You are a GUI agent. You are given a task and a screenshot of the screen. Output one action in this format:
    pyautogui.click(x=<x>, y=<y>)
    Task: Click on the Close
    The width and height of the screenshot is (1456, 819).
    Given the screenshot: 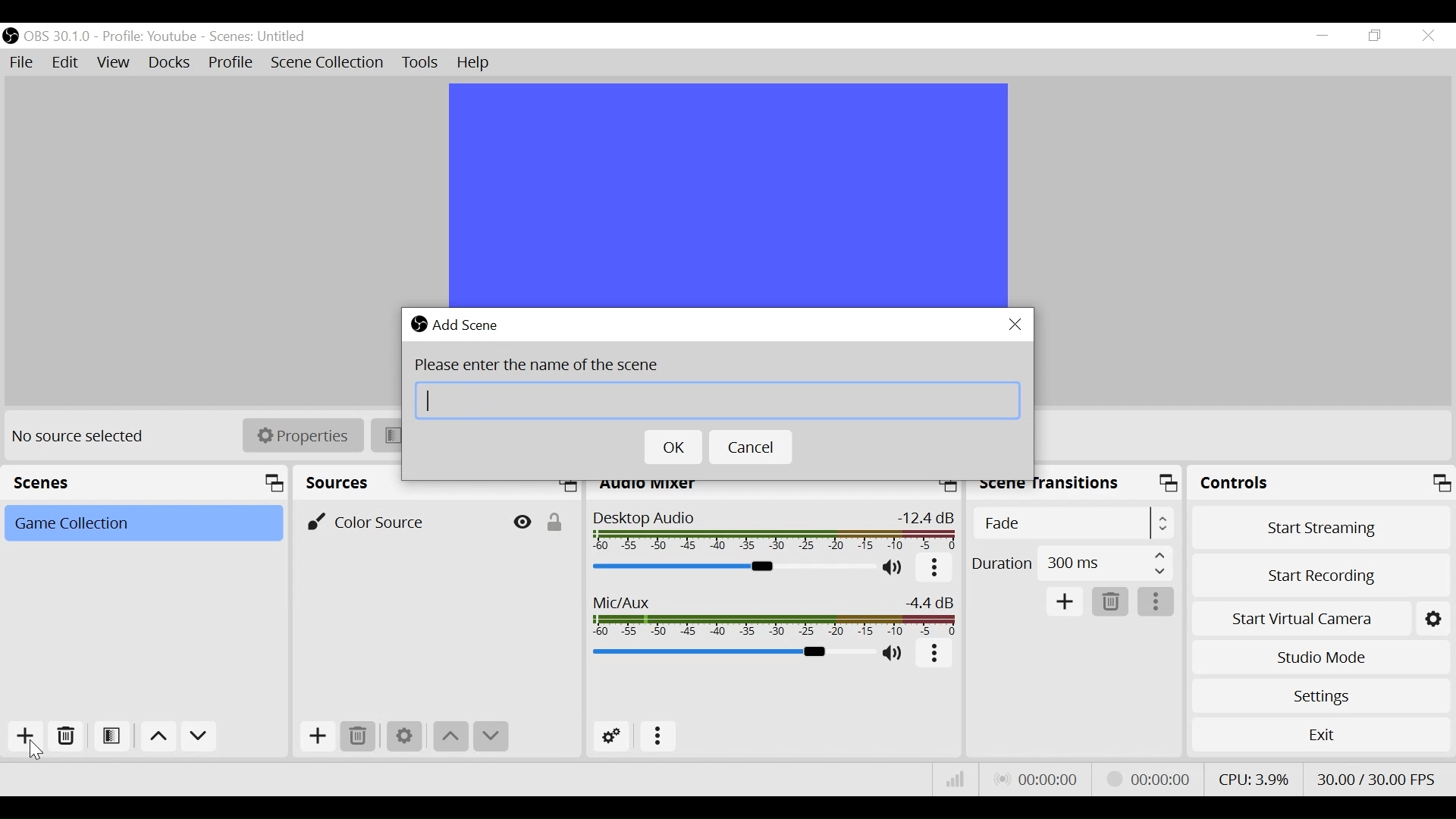 What is the action you would take?
    pyautogui.click(x=1427, y=36)
    